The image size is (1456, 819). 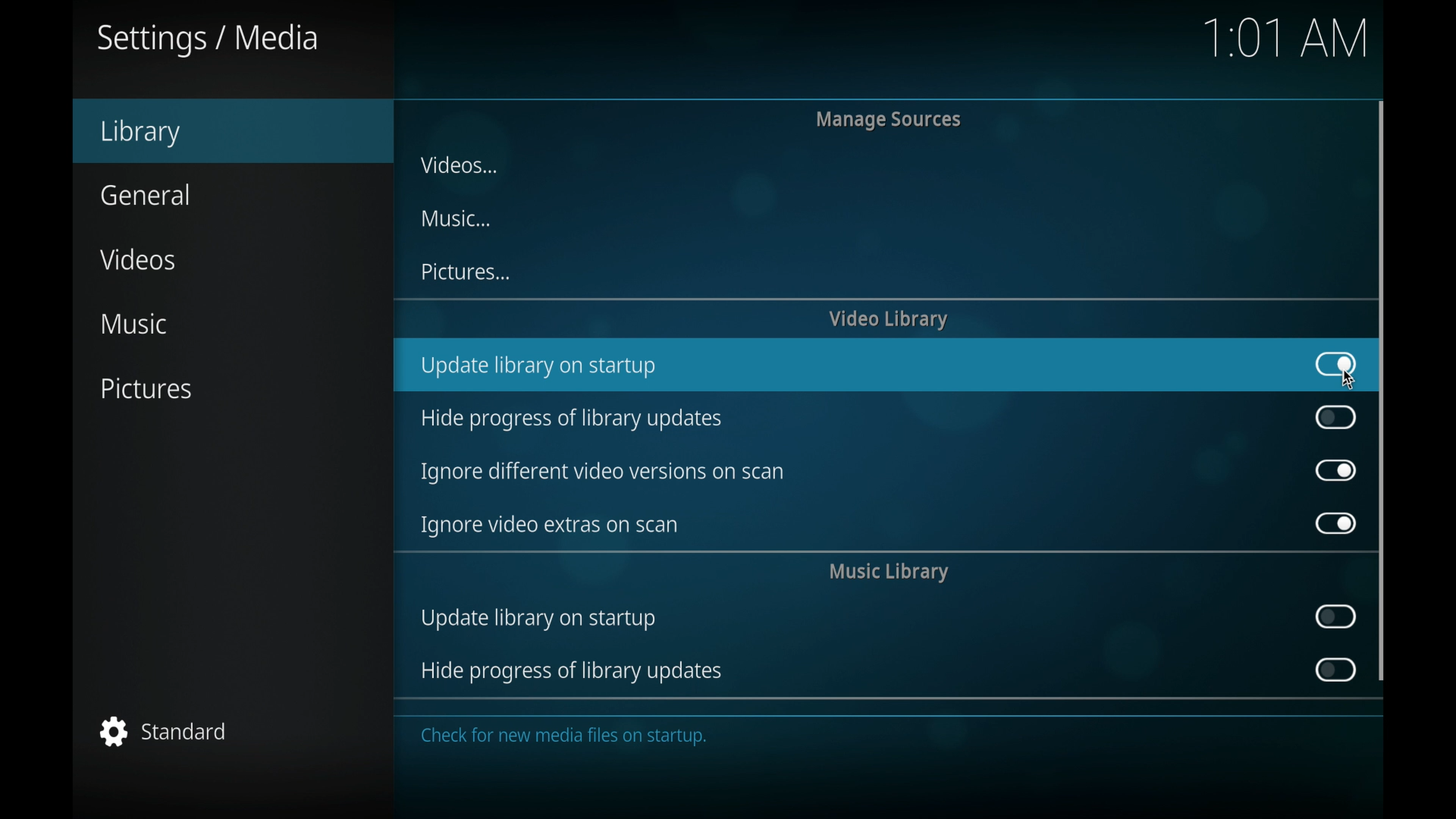 What do you see at coordinates (1334, 670) in the screenshot?
I see `toggle button` at bounding box center [1334, 670].